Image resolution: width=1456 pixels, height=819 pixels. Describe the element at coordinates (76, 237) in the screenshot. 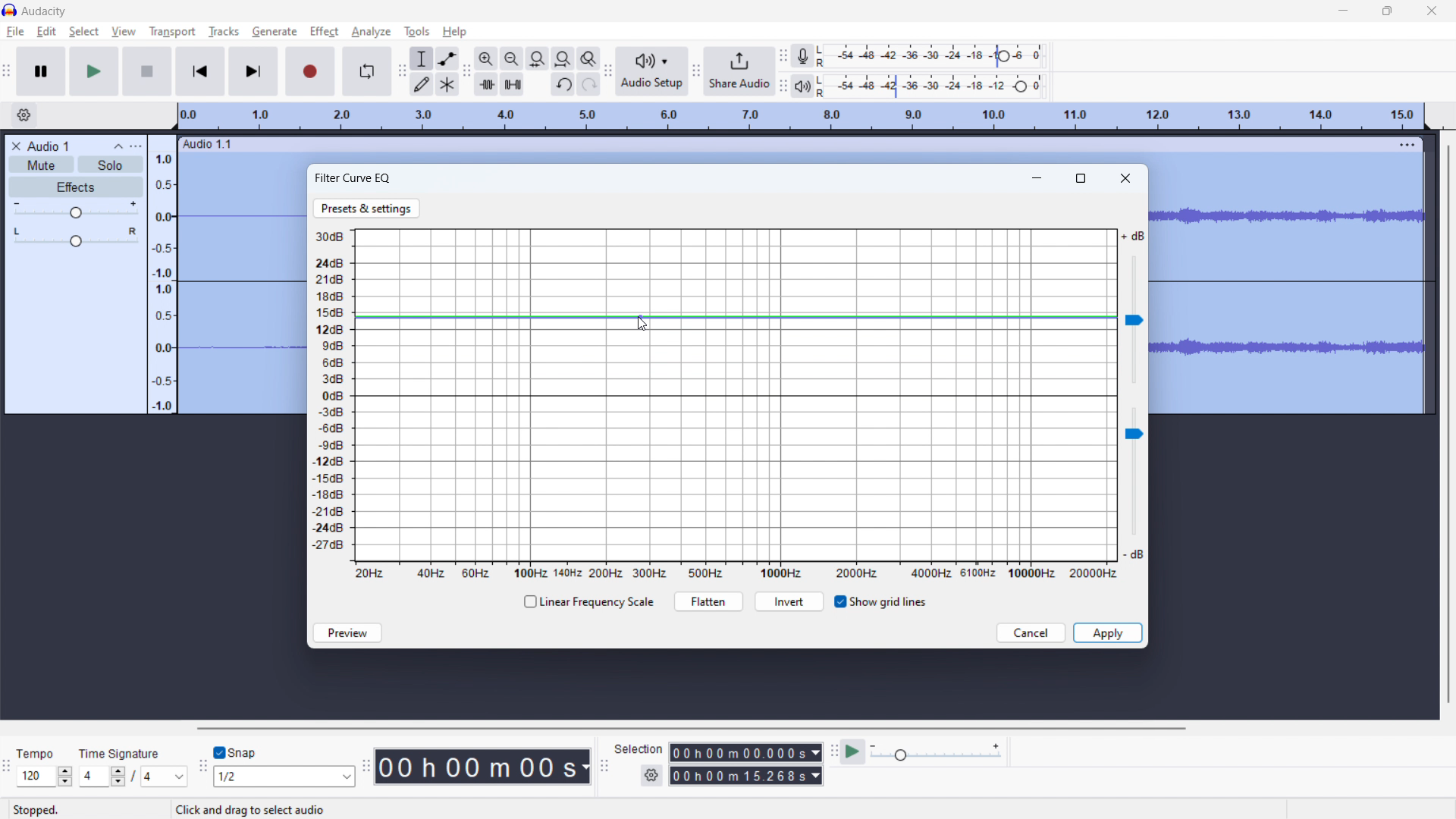

I see `pan: center` at that location.